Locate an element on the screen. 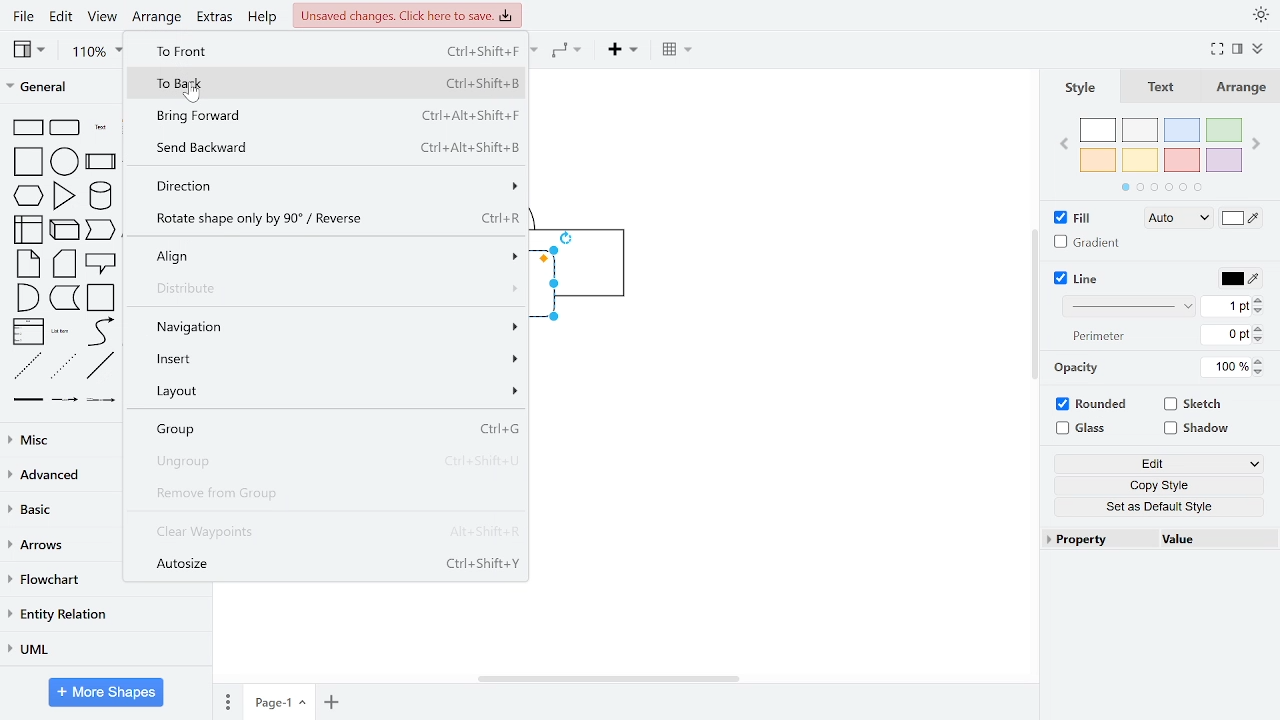 This screenshot has height=720, width=1280. file is located at coordinates (22, 16).